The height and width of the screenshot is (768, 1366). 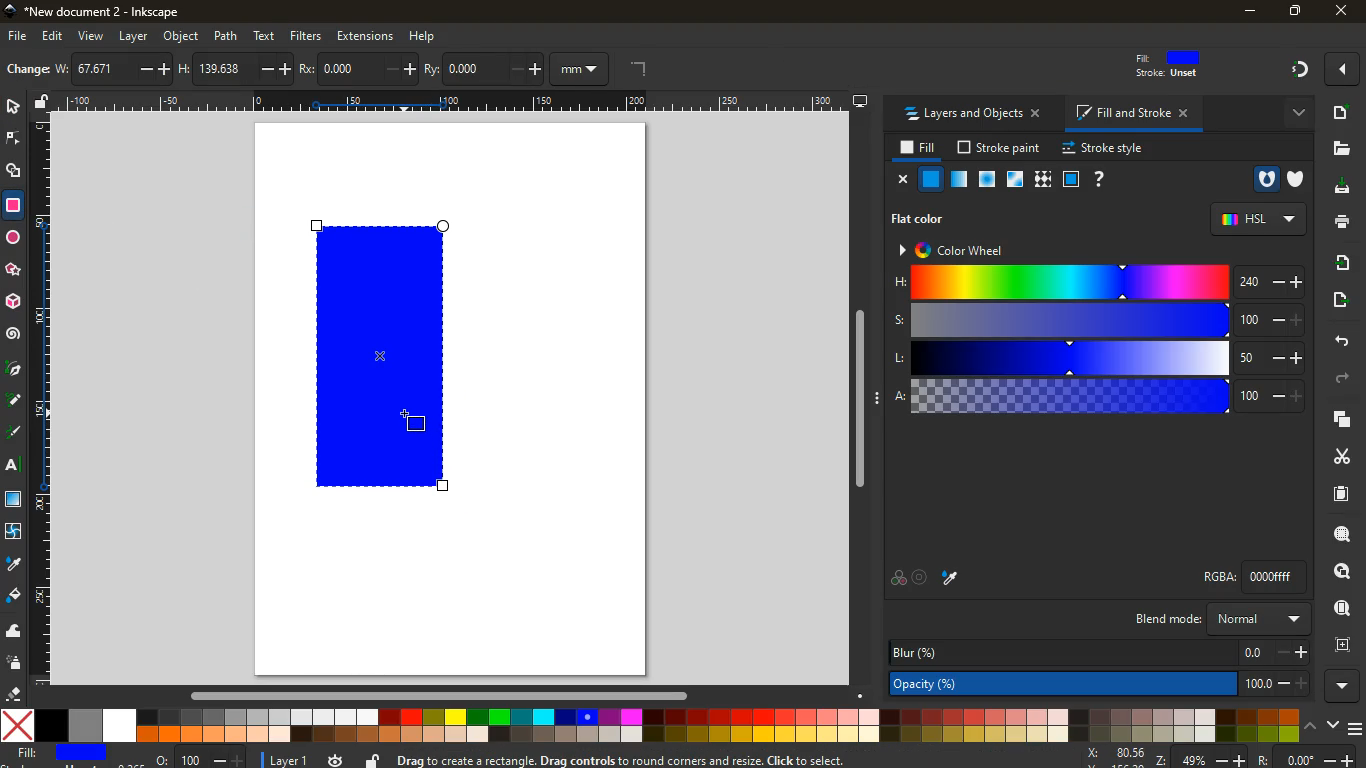 I want to click on path, so click(x=225, y=36).